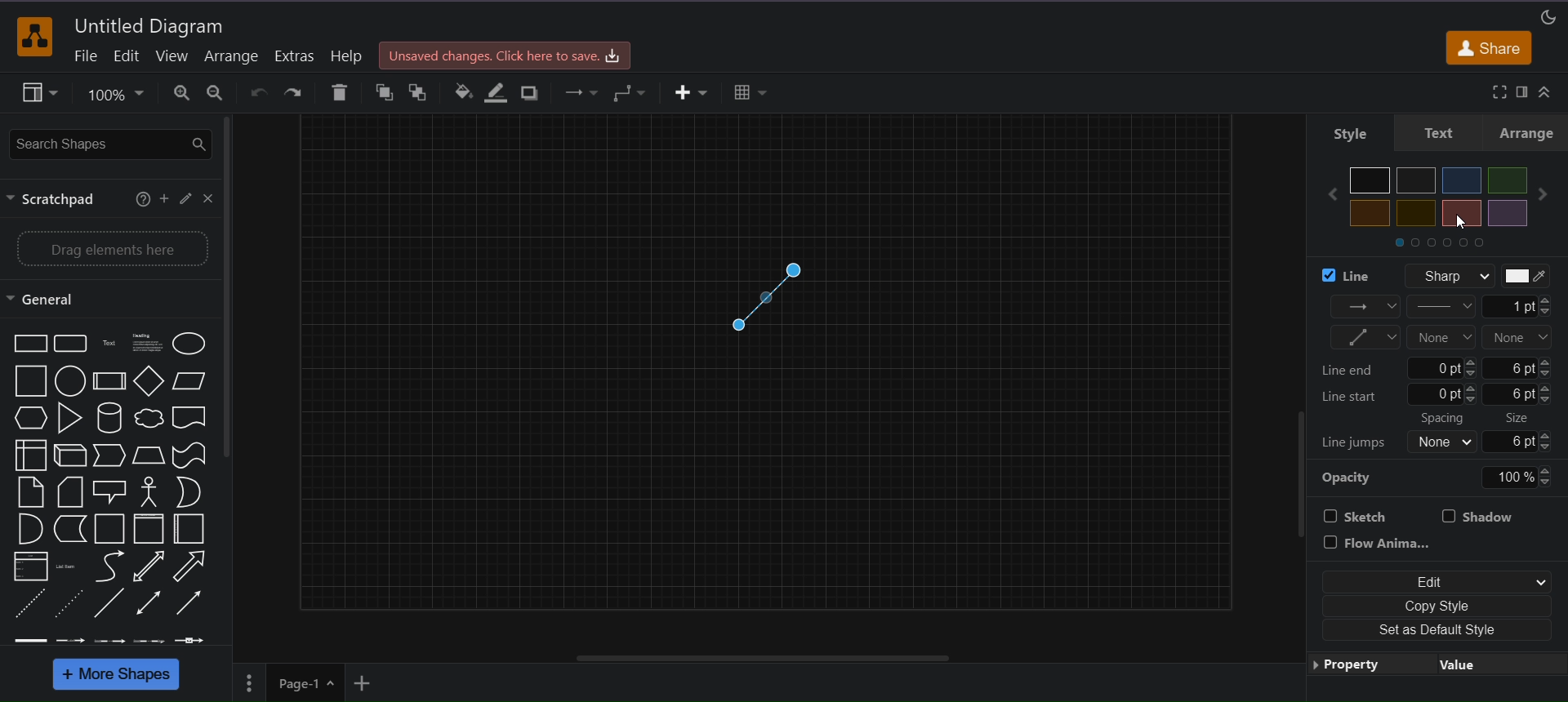  Describe the element at coordinates (503, 55) in the screenshot. I see `Unsaved changes. Click here to save.` at that location.